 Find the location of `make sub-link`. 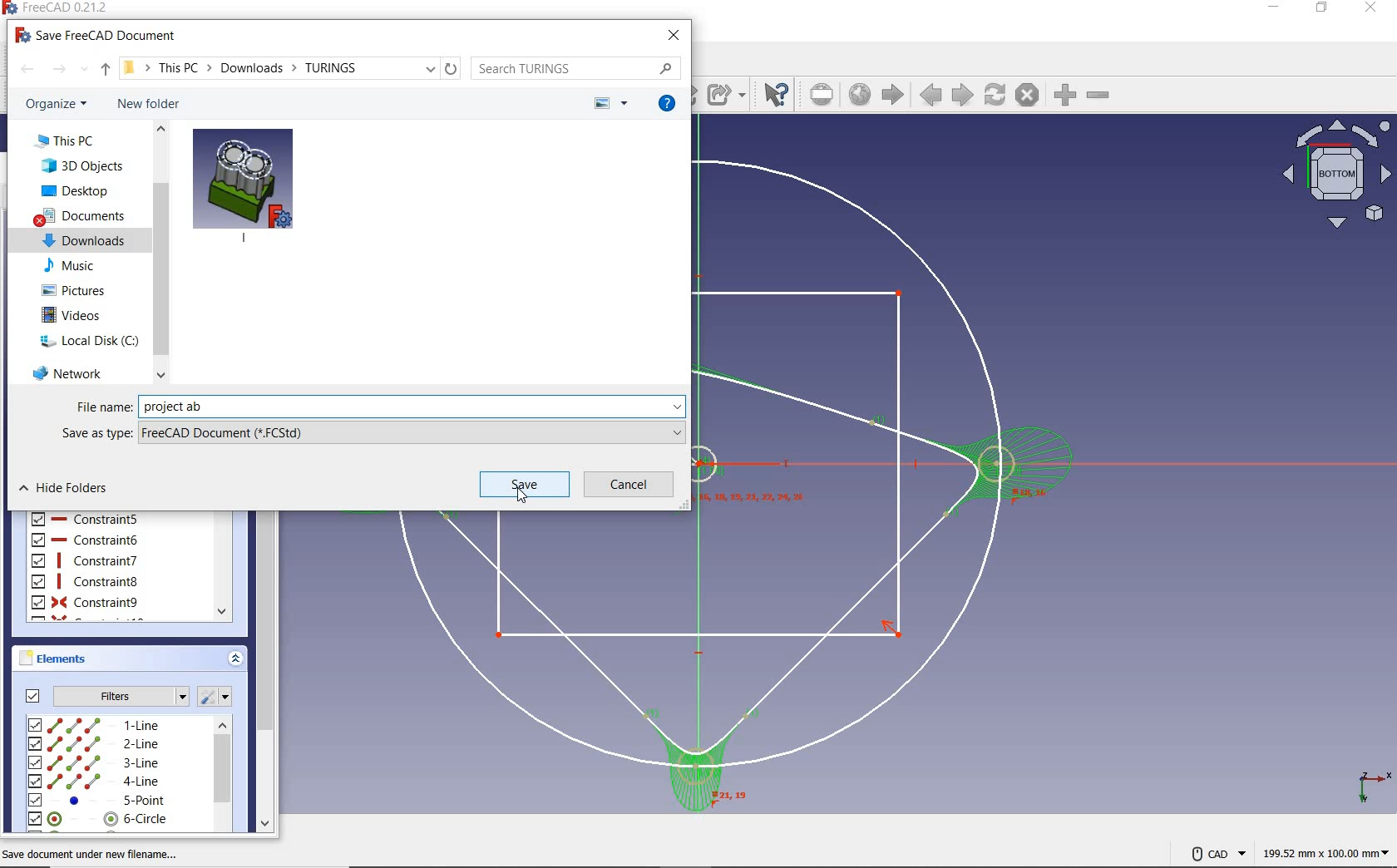

make sub-link is located at coordinates (726, 94).